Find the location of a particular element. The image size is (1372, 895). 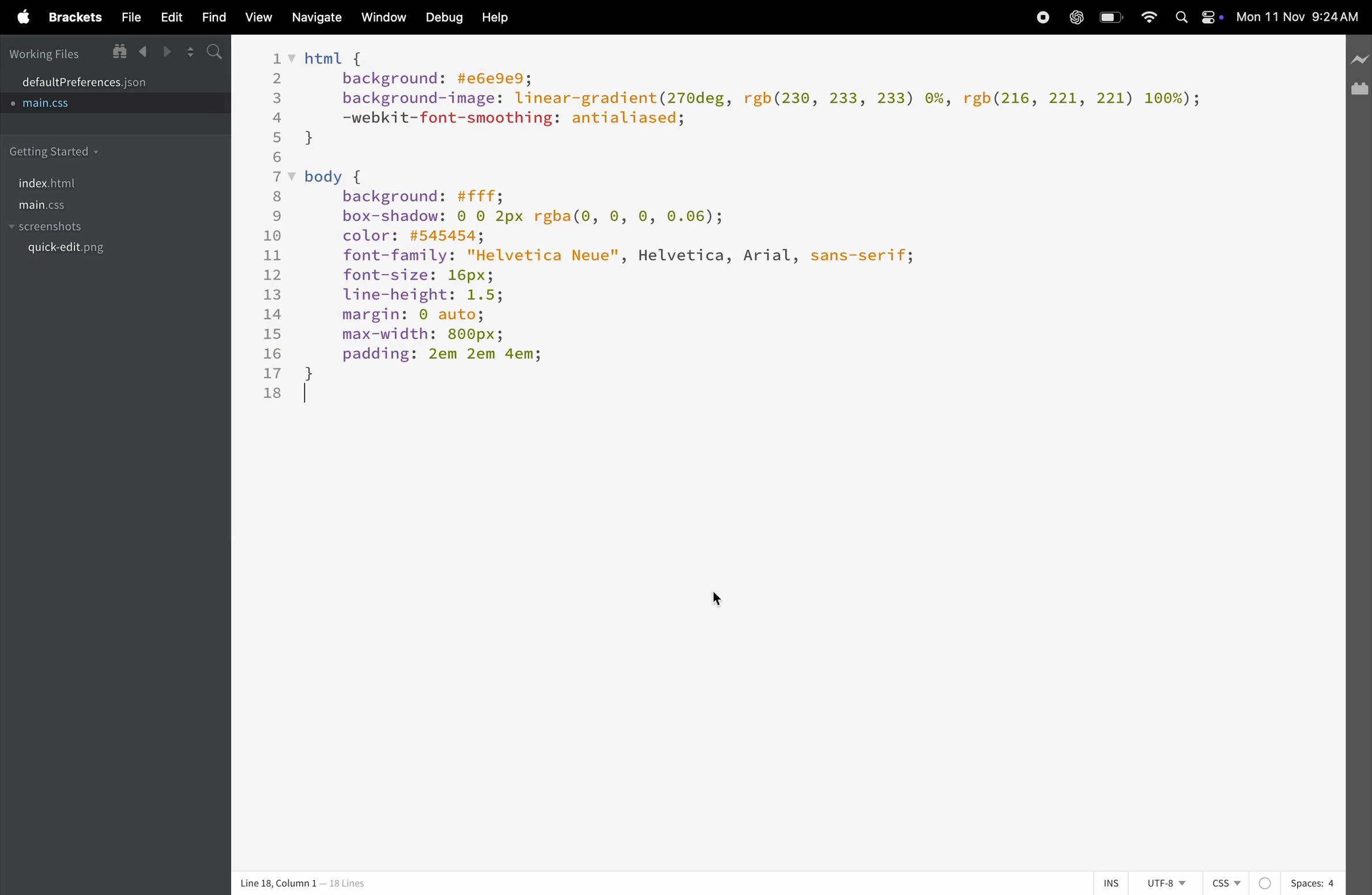

icon is located at coordinates (1360, 59).